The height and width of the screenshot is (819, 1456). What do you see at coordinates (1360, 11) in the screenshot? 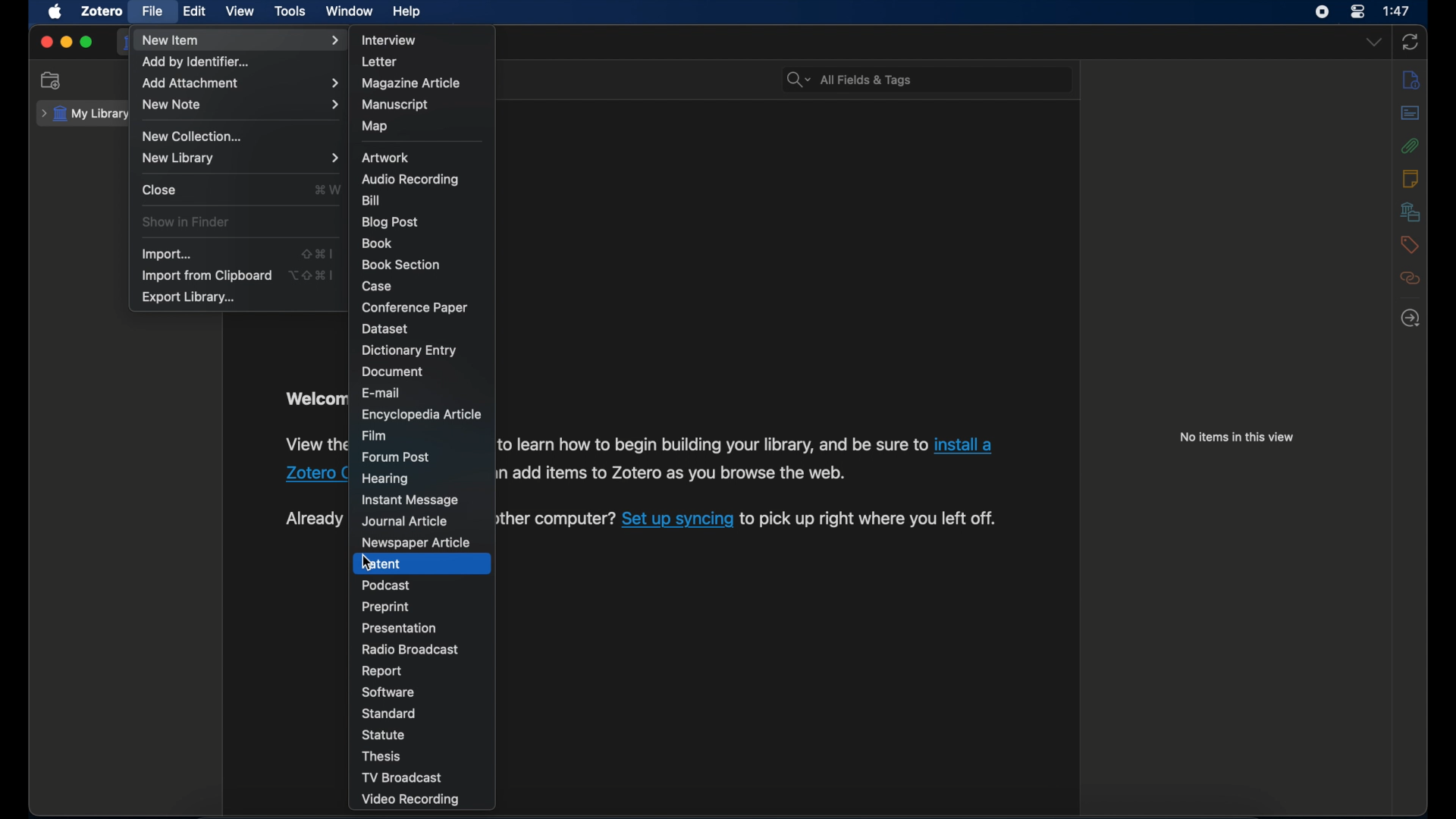
I see `control center` at bounding box center [1360, 11].